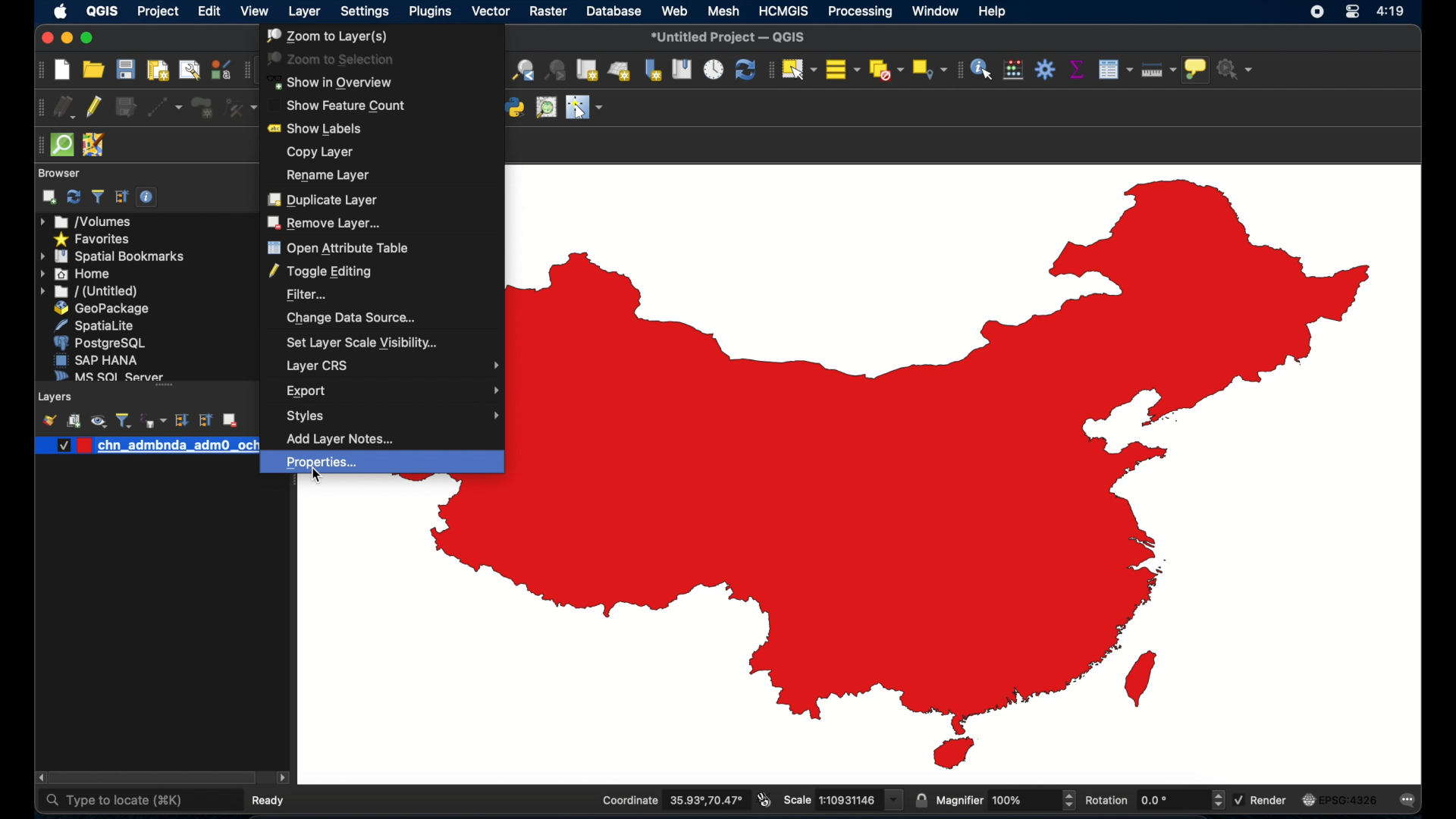 The image size is (1456, 819). Describe the element at coordinates (37, 146) in the screenshot. I see `drag handle` at that location.